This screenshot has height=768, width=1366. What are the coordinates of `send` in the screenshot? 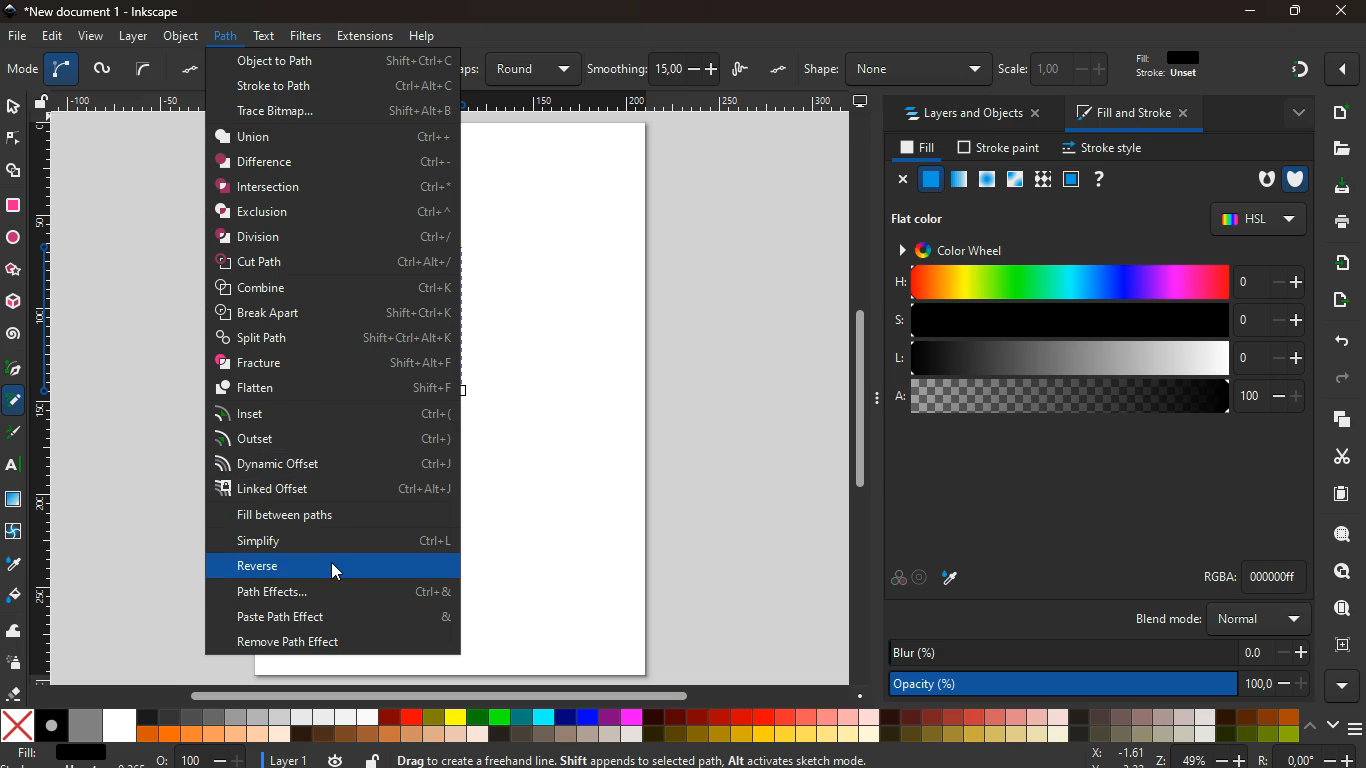 It's located at (1338, 300).